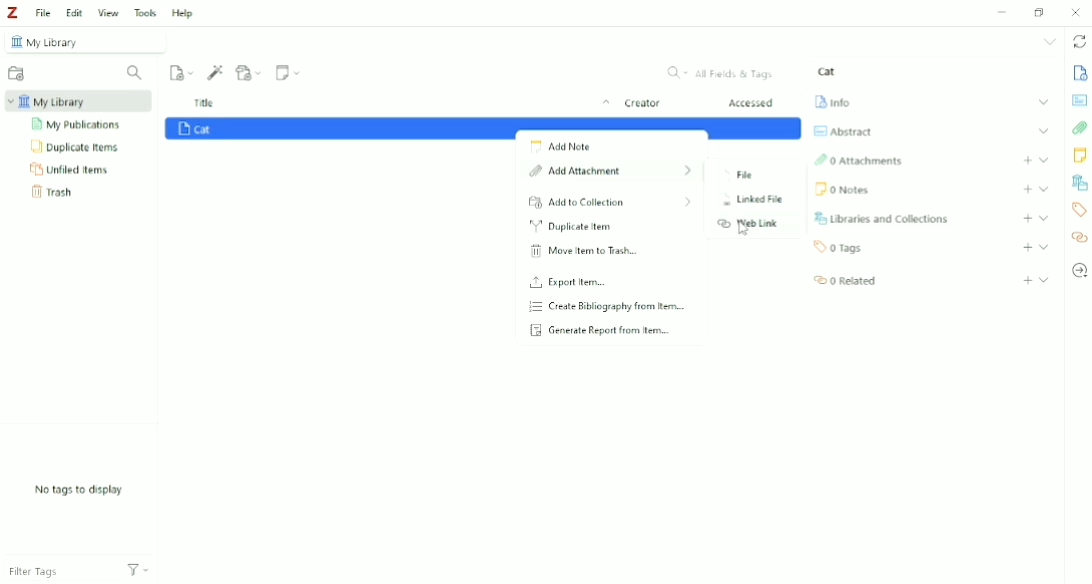  I want to click on Cat, so click(827, 71).